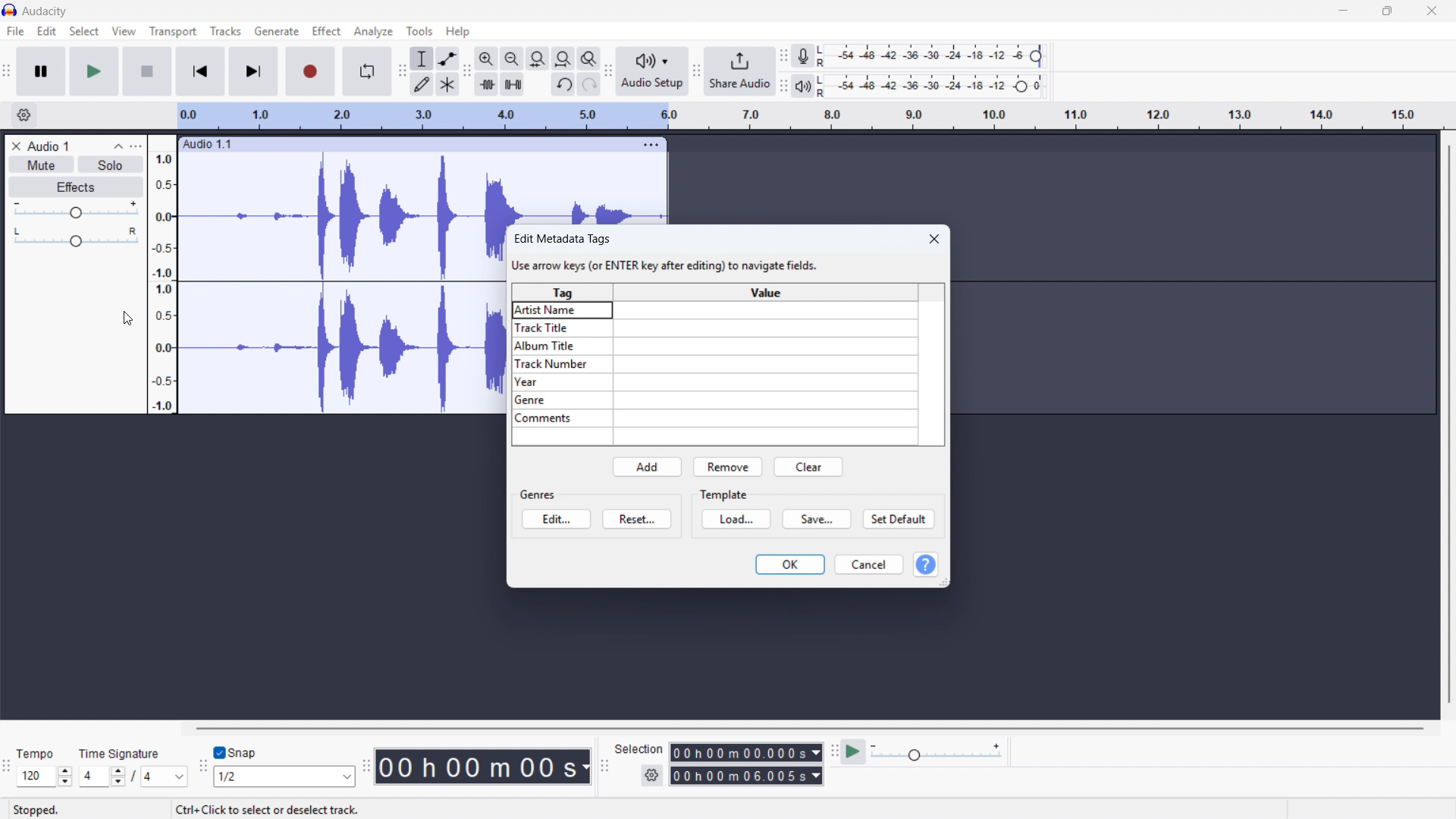 This screenshot has width=1456, height=819. What do you see at coordinates (310, 72) in the screenshot?
I see `record` at bounding box center [310, 72].